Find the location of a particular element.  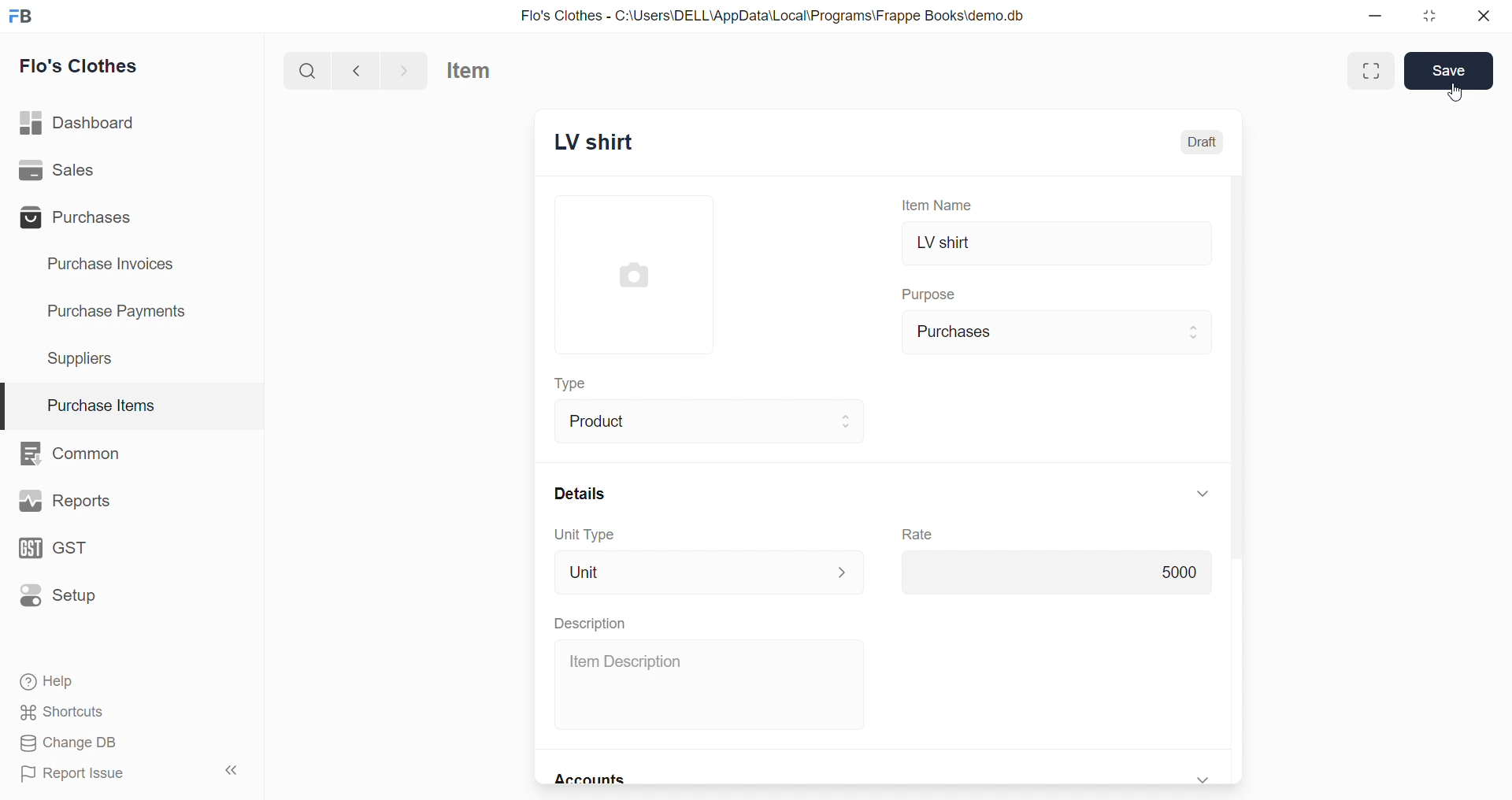

New Entry is located at coordinates (617, 144).